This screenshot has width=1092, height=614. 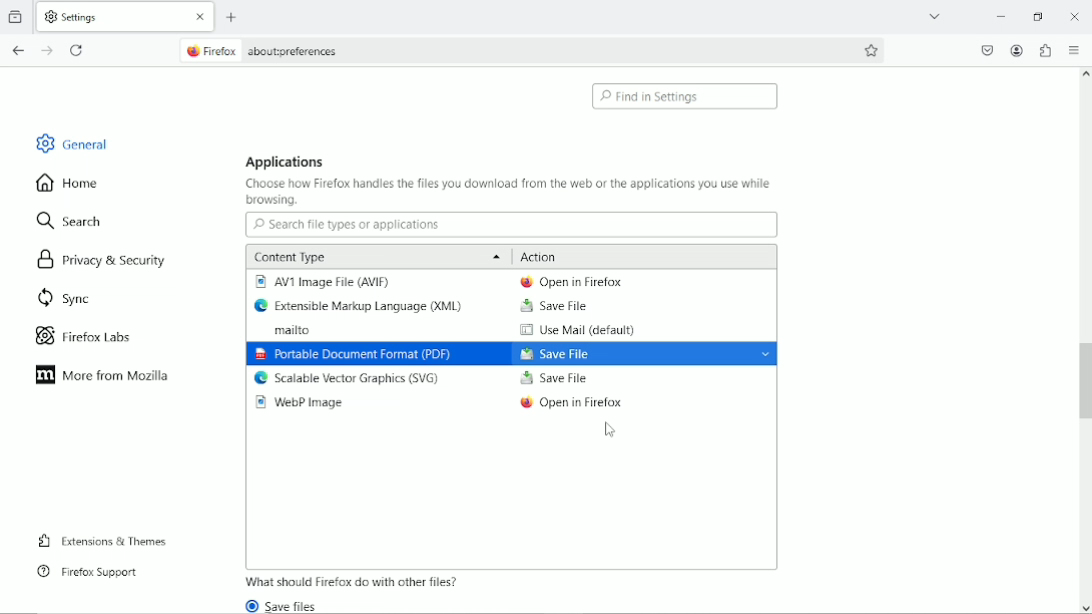 What do you see at coordinates (936, 16) in the screenshot?
I see `List all tabs` at bounding box center [936, 16].